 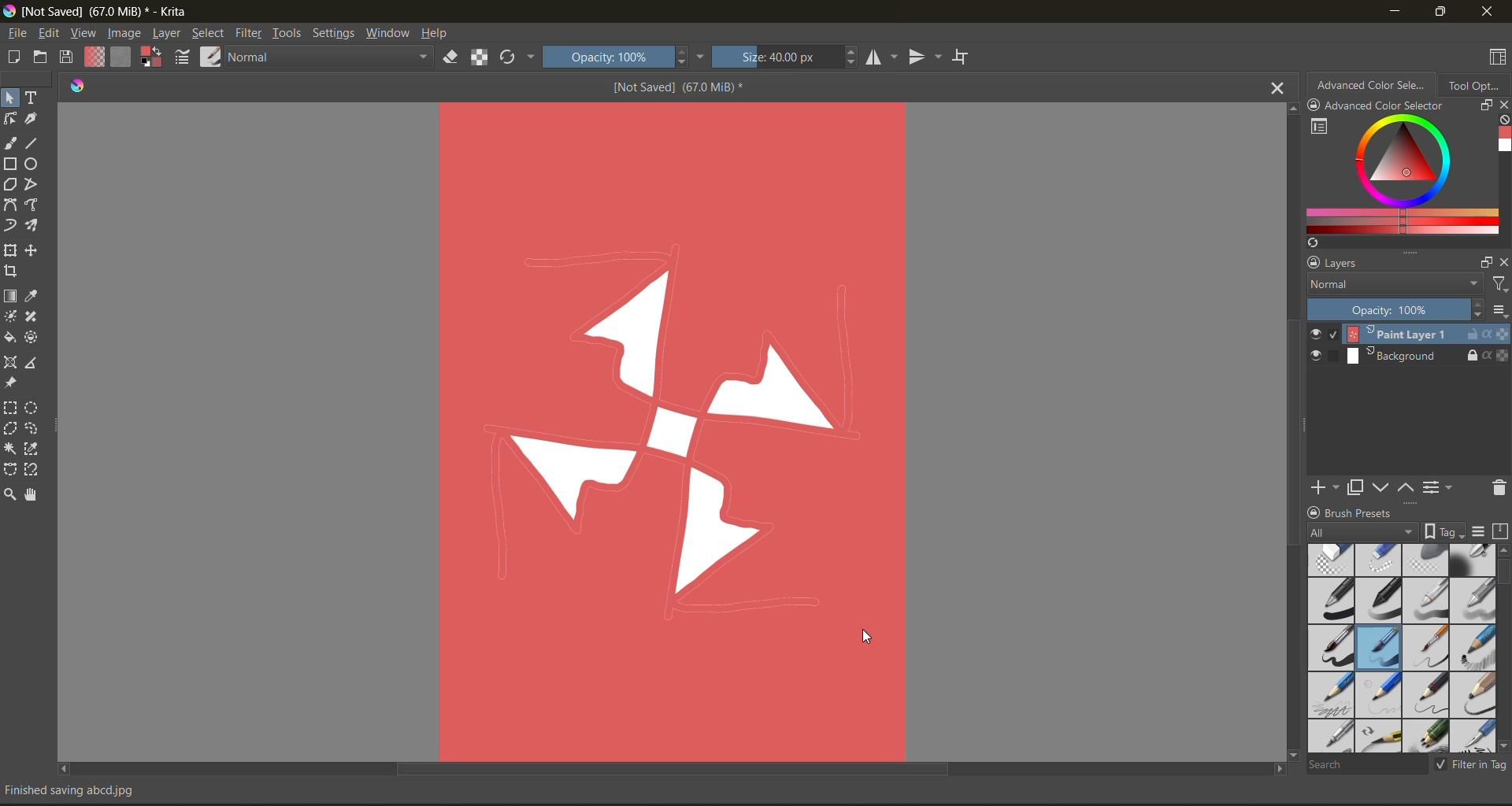 What do you see at coordinates (169, 35) in the screenshot?
I see `layer` at bounding box center [169, 35].